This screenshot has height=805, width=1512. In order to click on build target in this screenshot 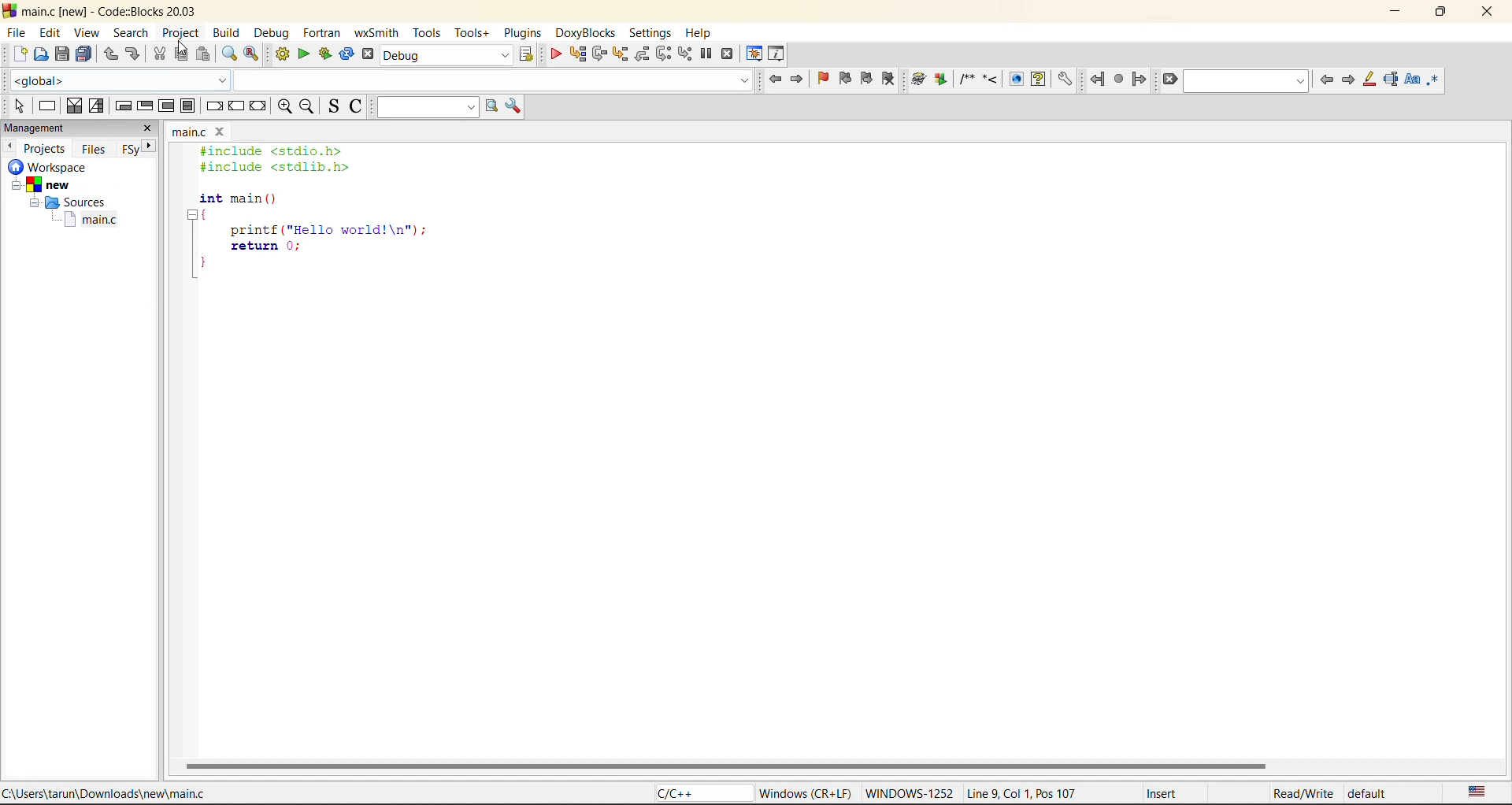, I will do `click(444, 55)`.